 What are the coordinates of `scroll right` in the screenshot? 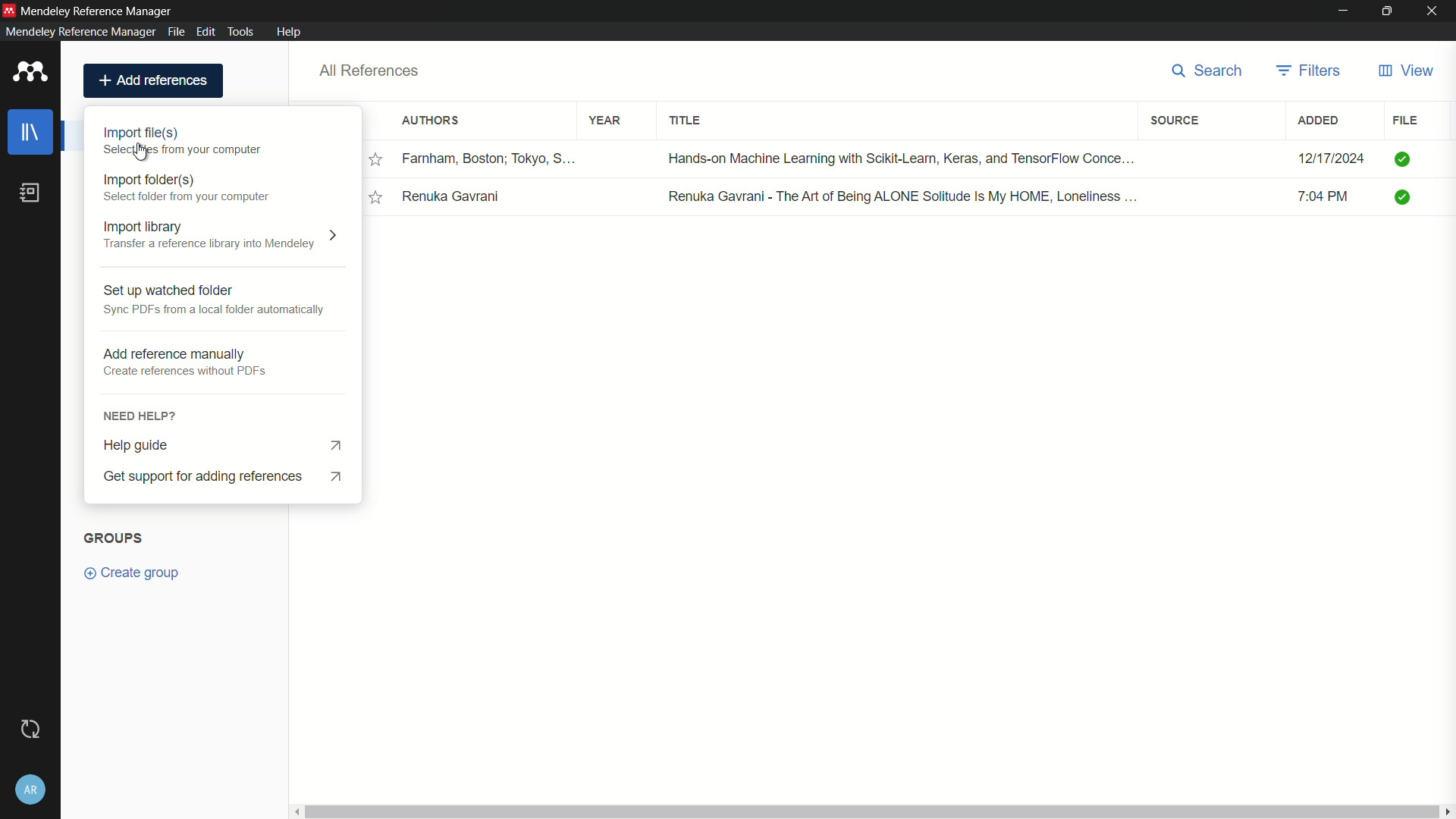 It's located at (1447, 811).